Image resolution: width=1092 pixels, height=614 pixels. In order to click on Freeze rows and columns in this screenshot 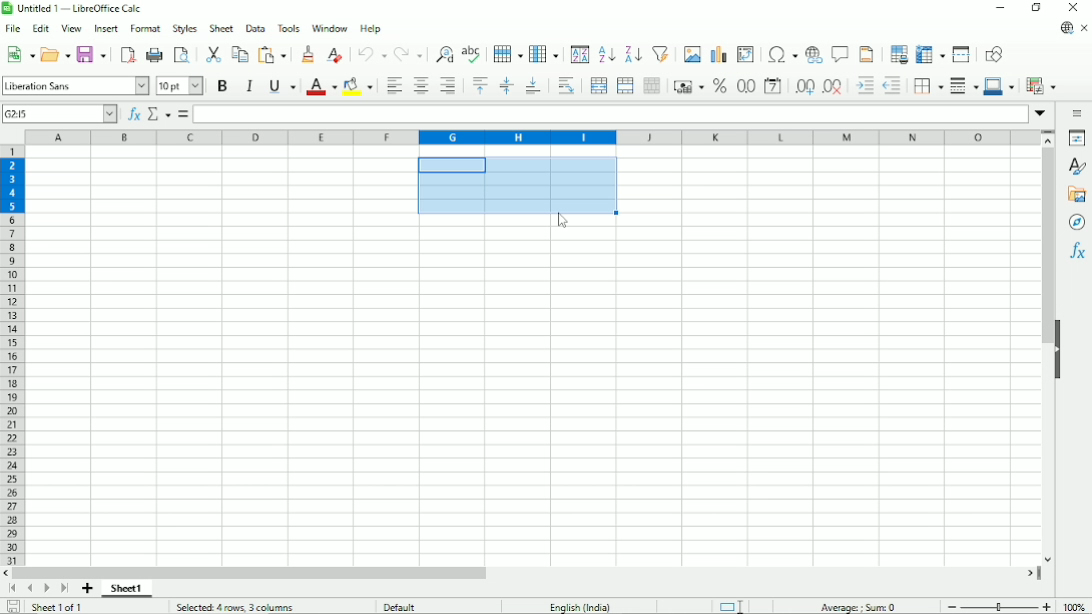, I will do `click(930, 54)`.